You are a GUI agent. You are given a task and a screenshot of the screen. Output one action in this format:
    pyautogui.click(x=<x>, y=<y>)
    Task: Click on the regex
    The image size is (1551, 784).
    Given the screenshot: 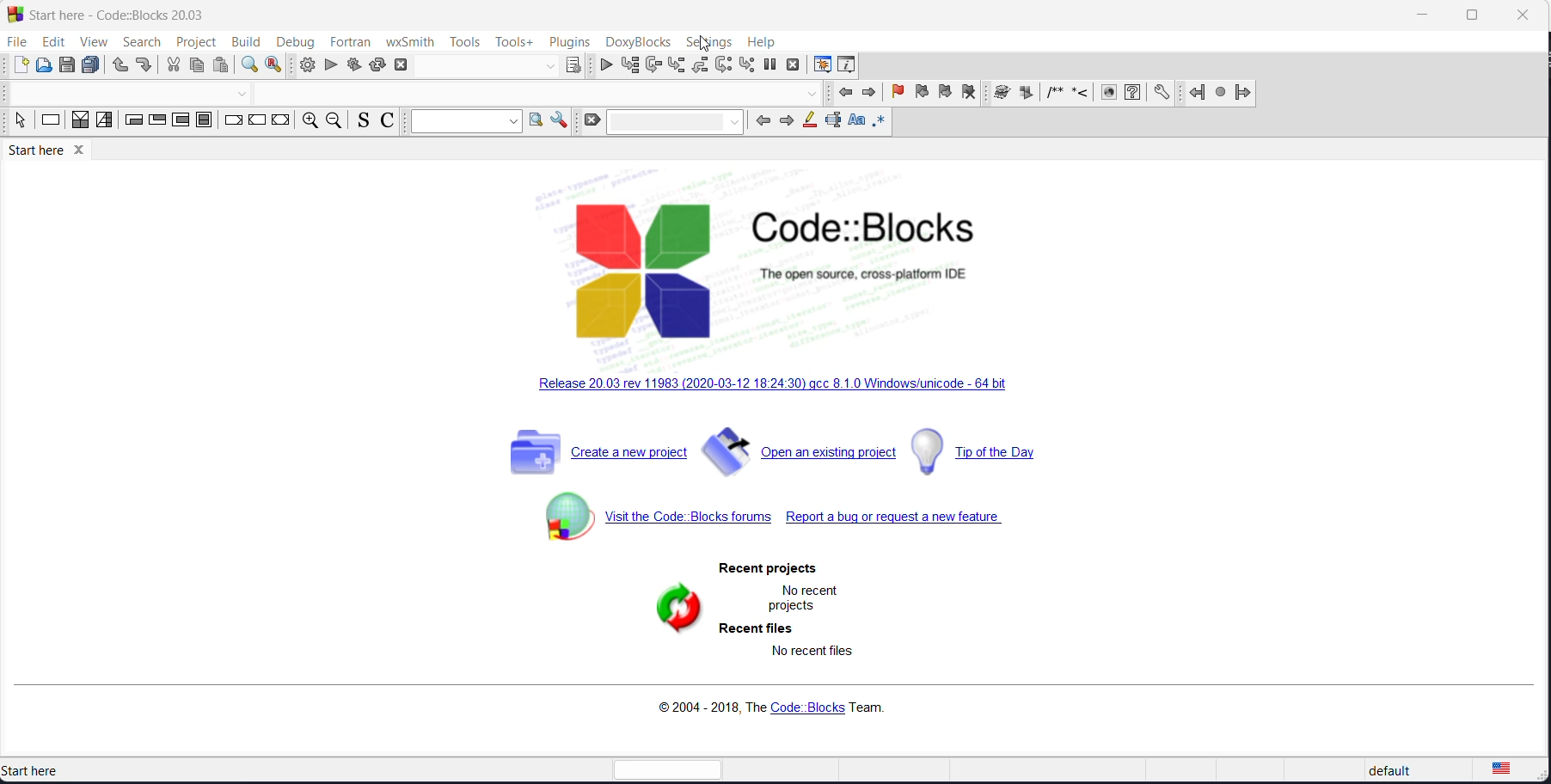 What is the action you would take?
    pyautogui.click(x=880, y=121)
    